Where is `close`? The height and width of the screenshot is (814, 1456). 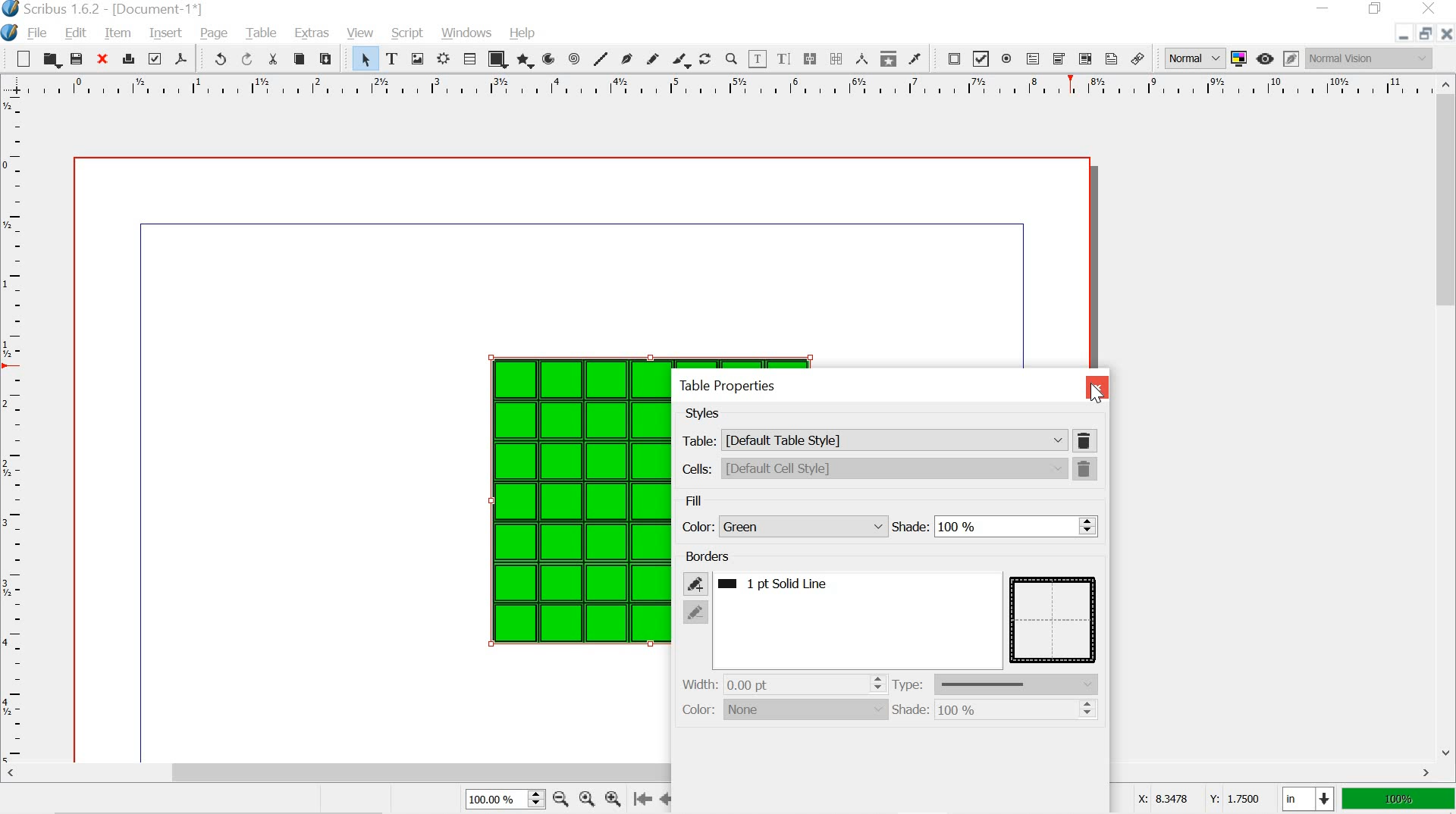 close is located at coordinates (104, 60).